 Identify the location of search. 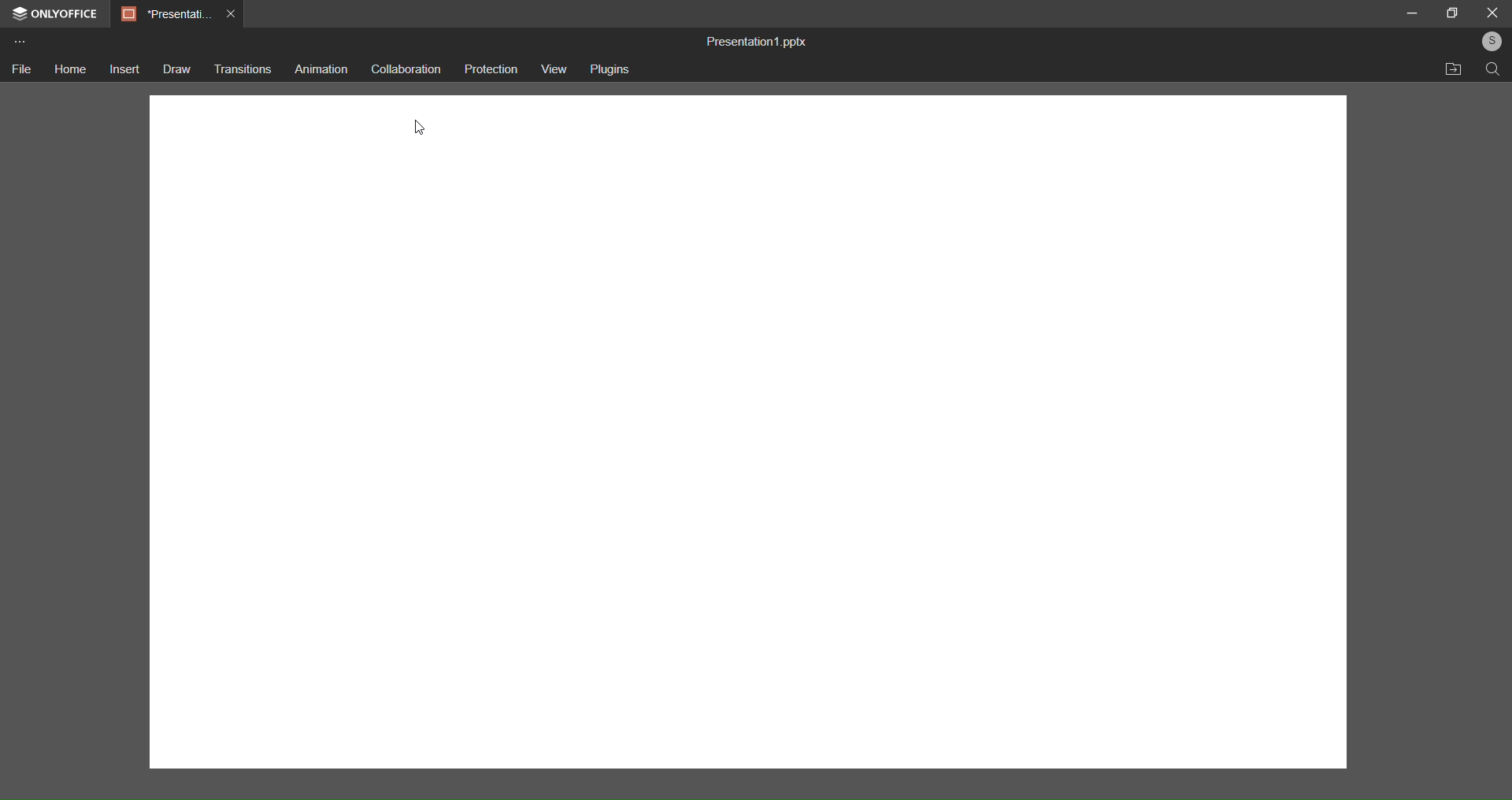
(1490, 70).